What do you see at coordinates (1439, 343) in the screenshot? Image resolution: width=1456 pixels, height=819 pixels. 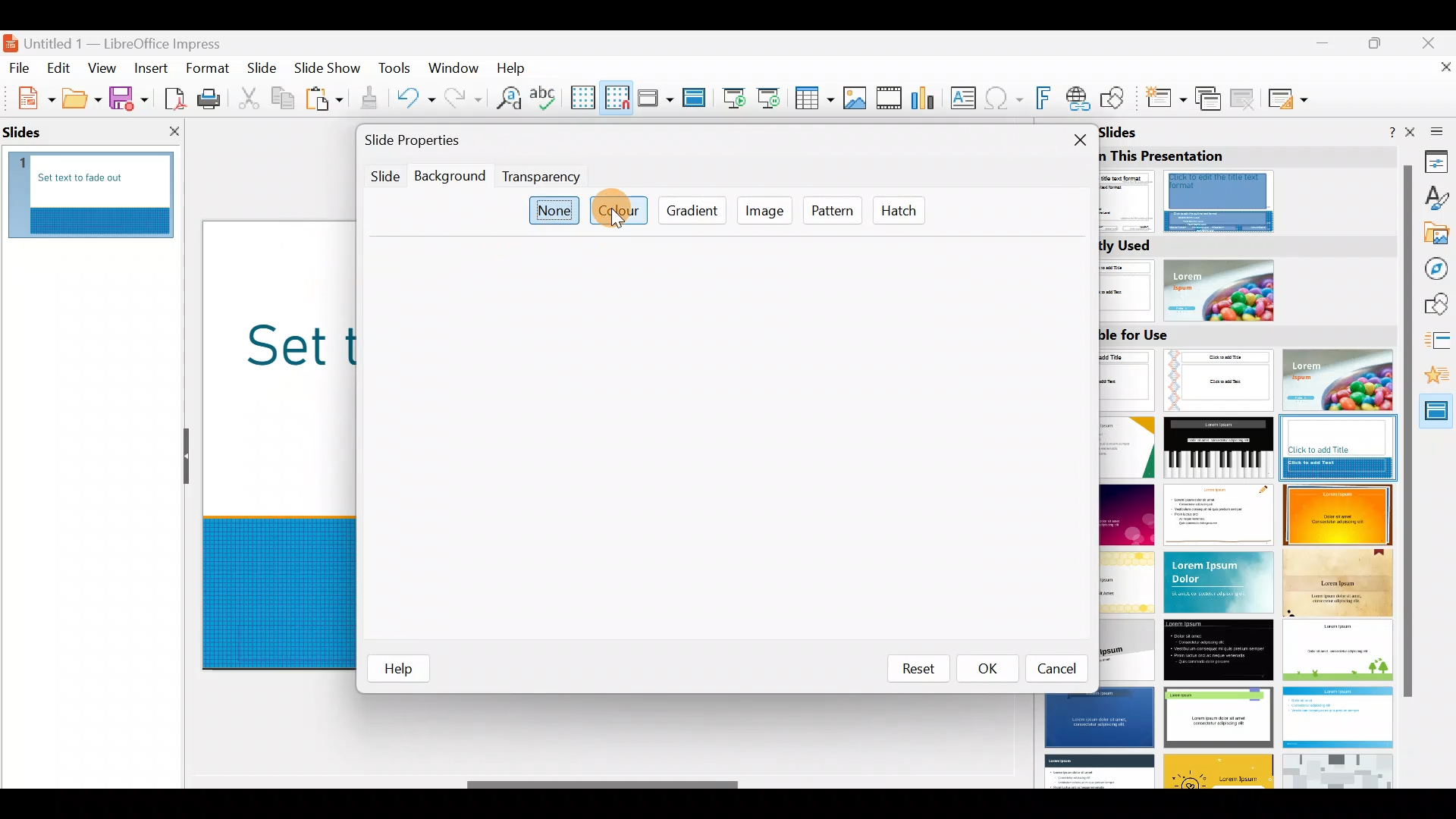 I see `Slide transition` at bounding box center [1439, 343].